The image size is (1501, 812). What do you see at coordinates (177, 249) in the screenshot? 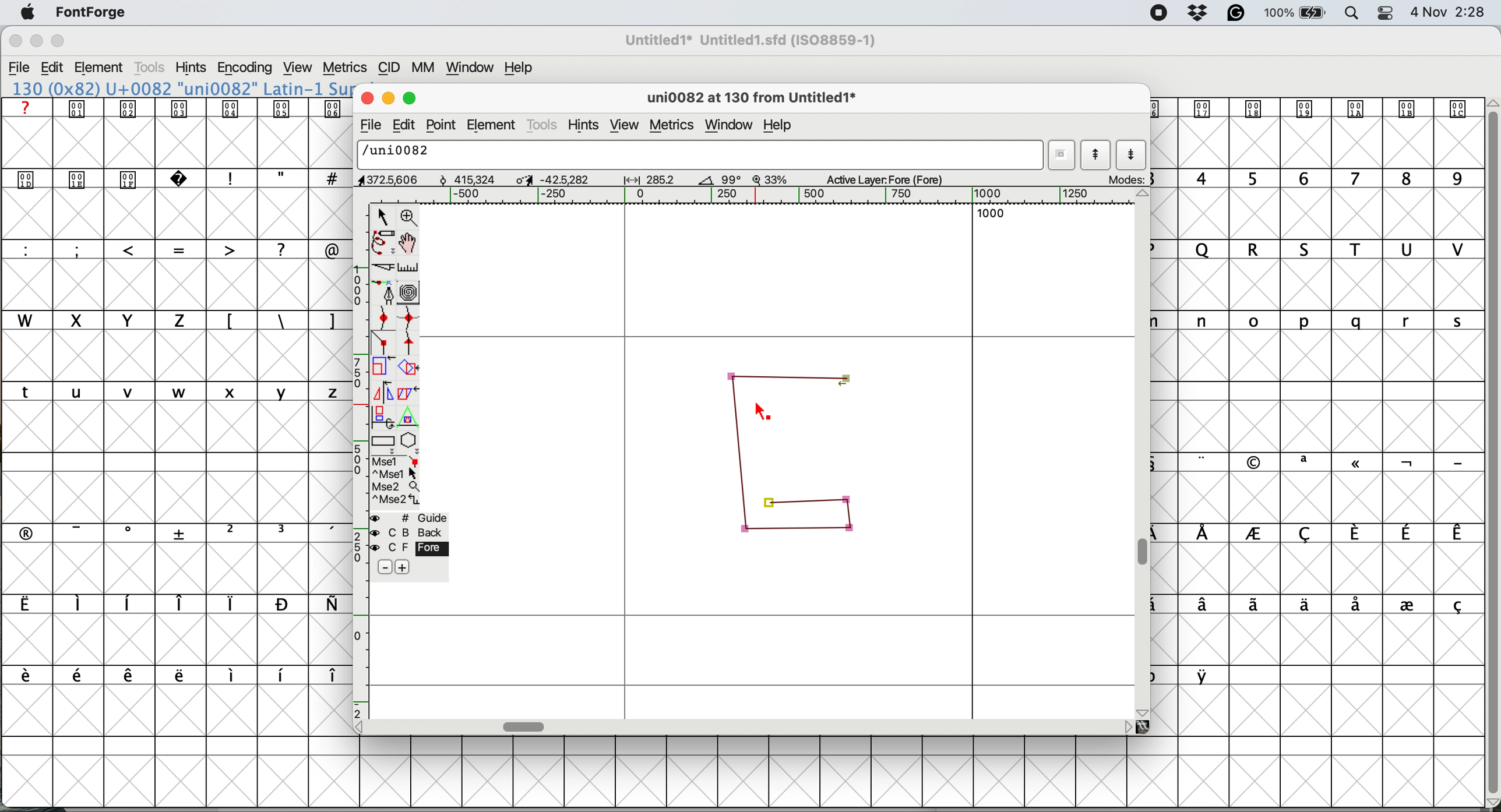
I see `special characters` at bounding box center [177, 249].